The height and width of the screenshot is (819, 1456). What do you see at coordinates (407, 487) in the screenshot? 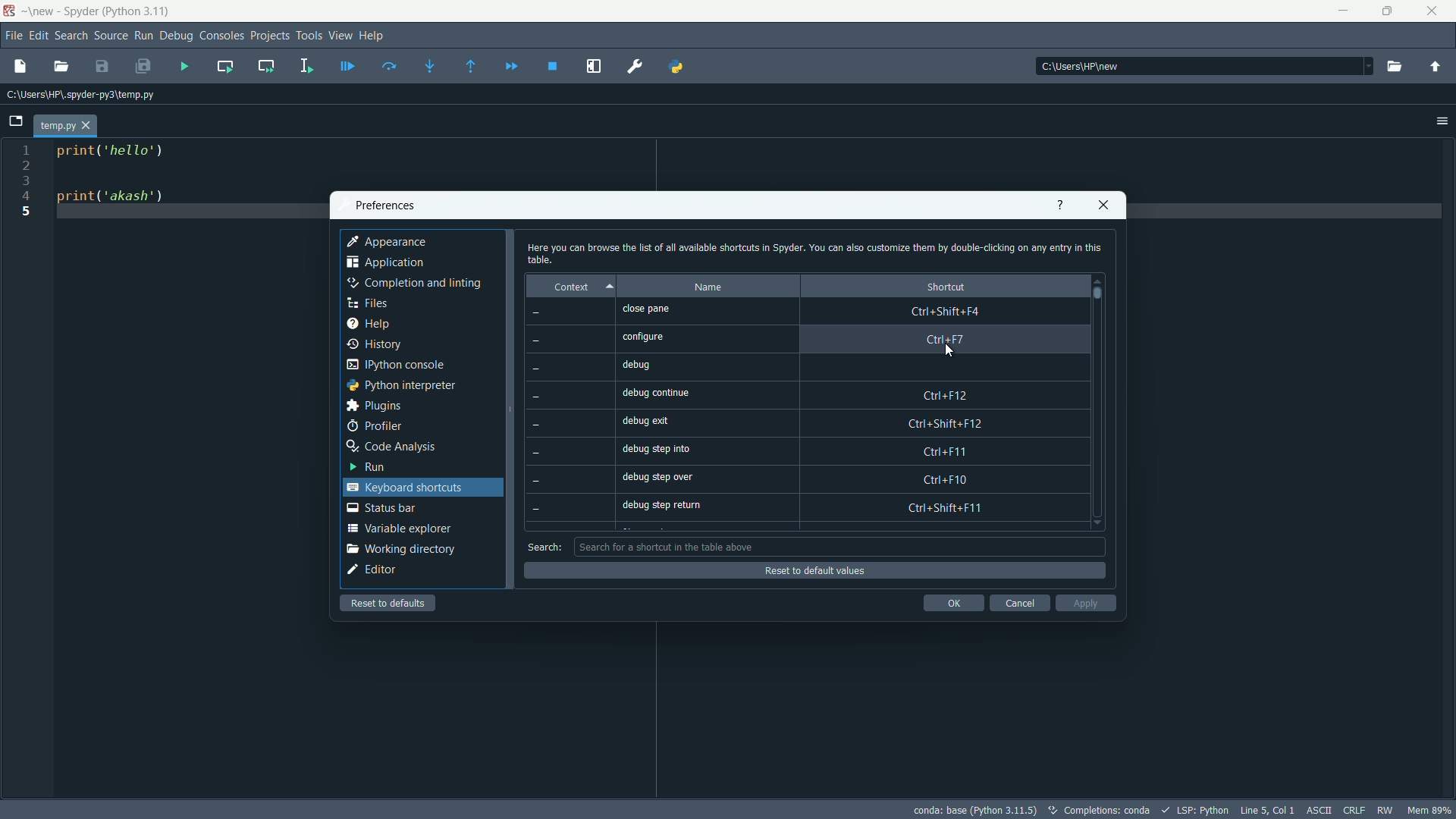
I see `keyboard shortcuts` at bounding box center [407, 487].